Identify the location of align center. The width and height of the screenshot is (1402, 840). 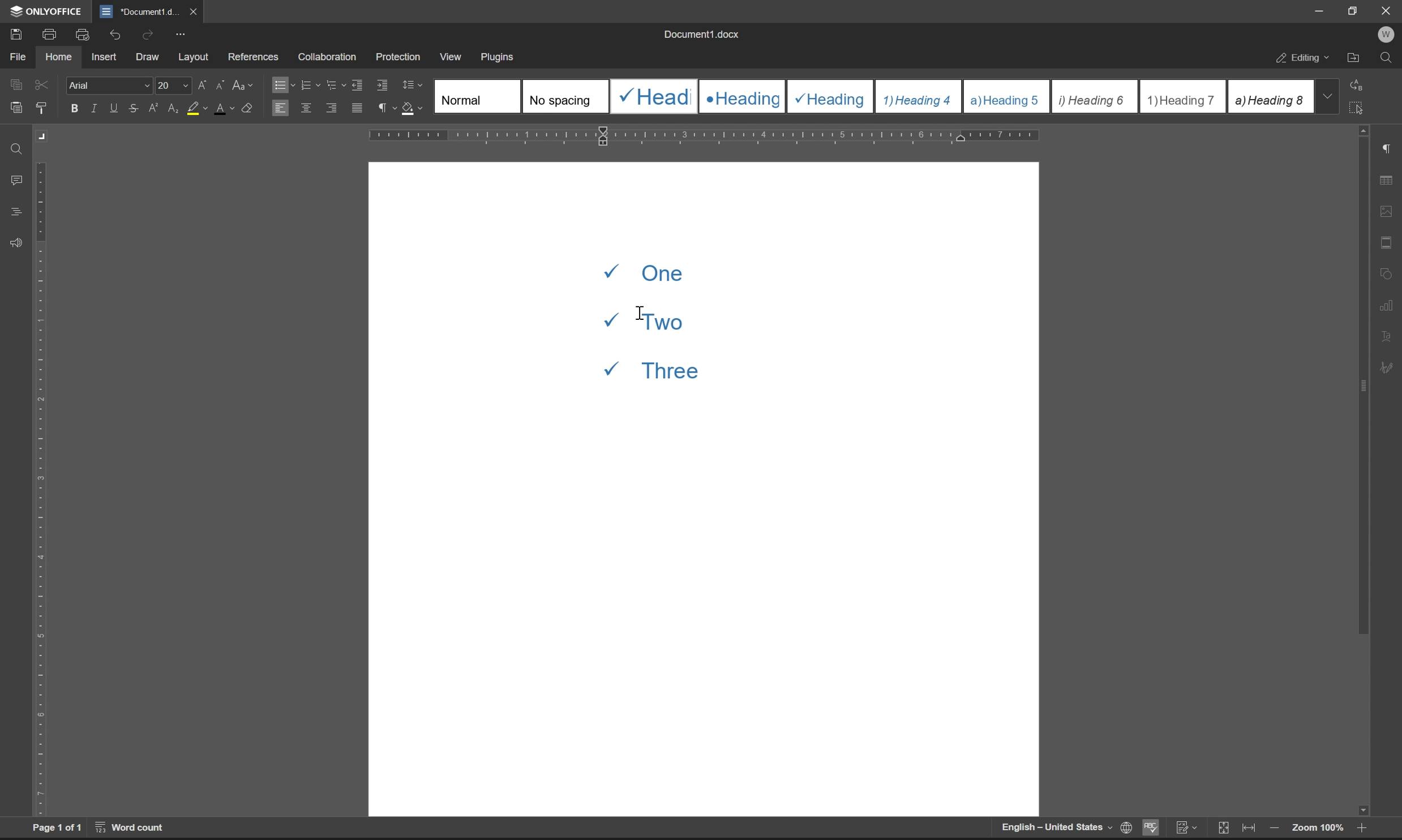
(307, 107).